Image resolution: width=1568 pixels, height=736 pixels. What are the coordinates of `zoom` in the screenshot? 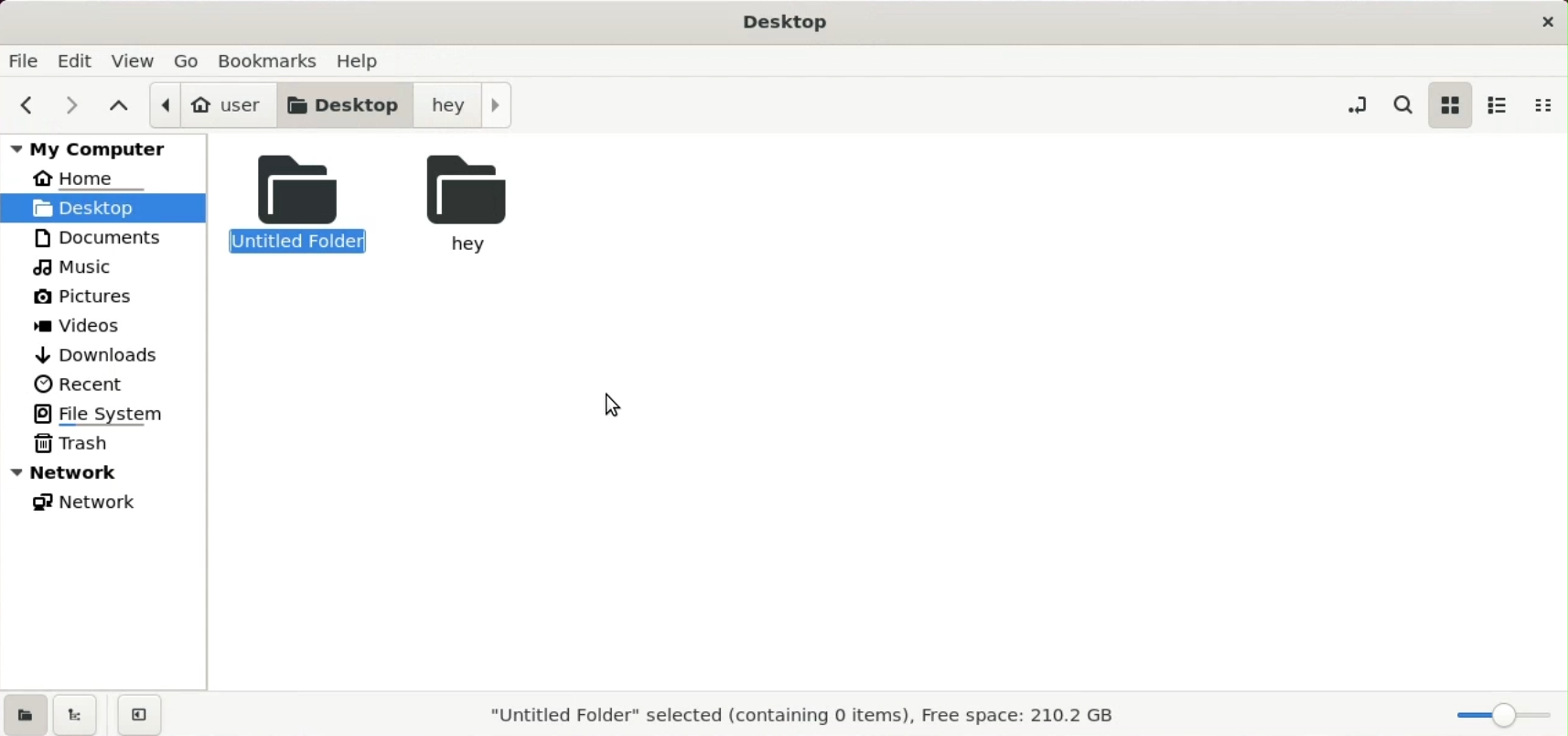 It's located at (1501, 717).